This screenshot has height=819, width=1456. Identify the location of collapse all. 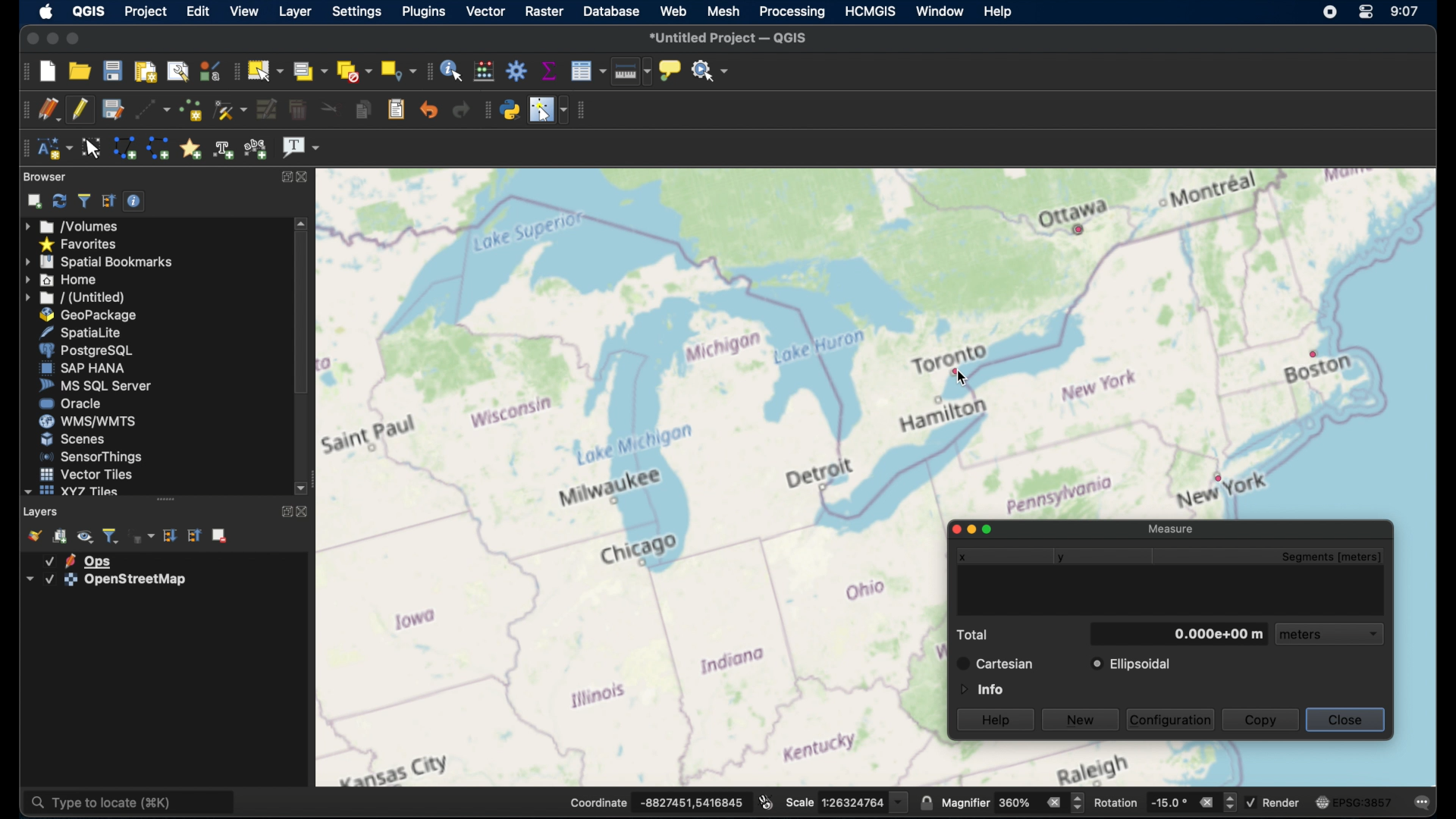
(194, 535).